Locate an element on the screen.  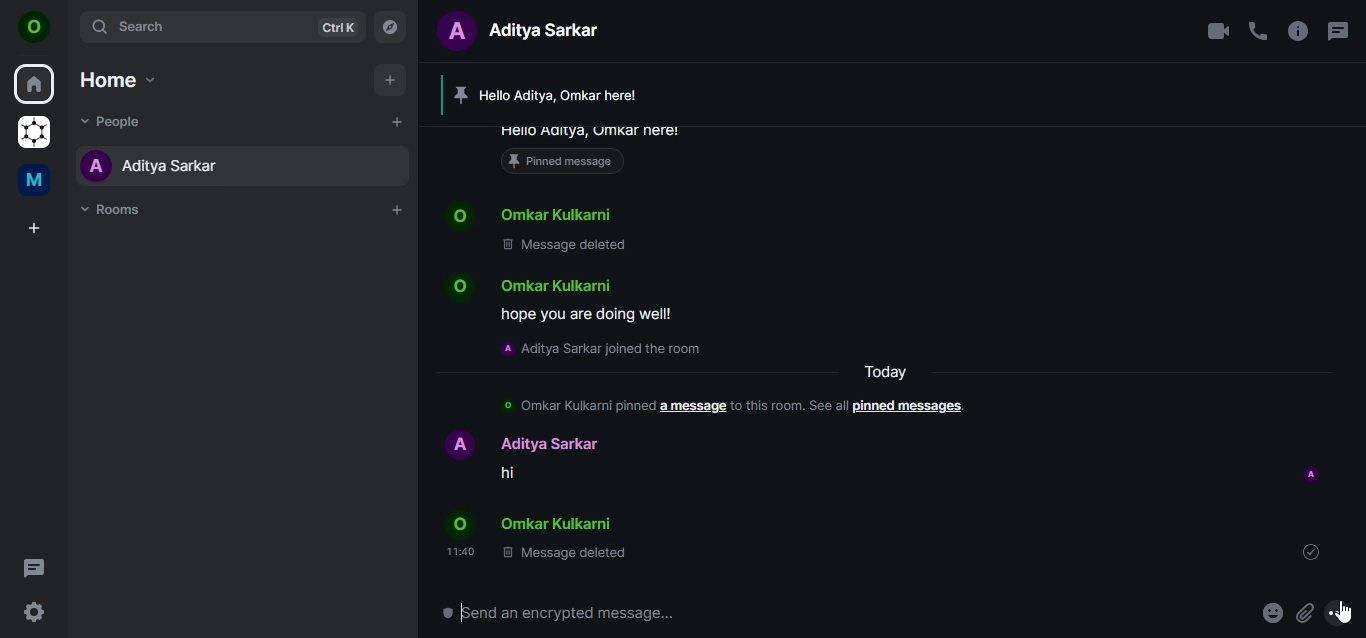
room options is located at coordinates (1299, 33).